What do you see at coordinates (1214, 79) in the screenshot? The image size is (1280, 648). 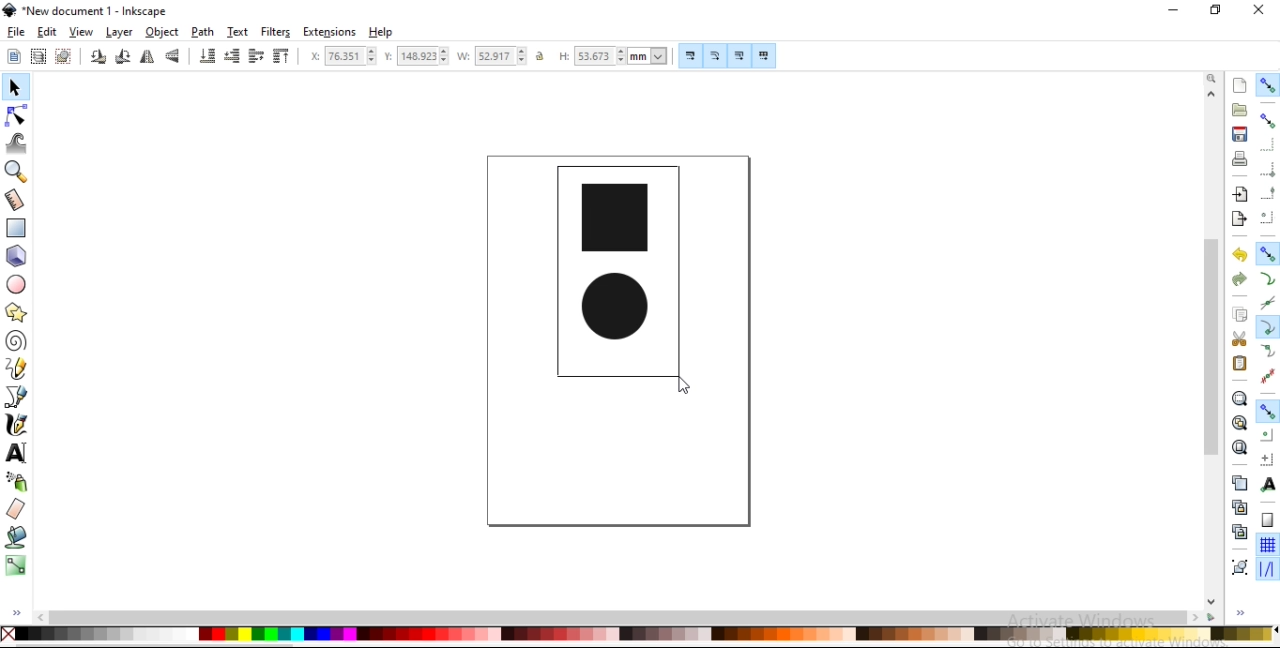 I see `zoom` at bounding box center [1214, 79].